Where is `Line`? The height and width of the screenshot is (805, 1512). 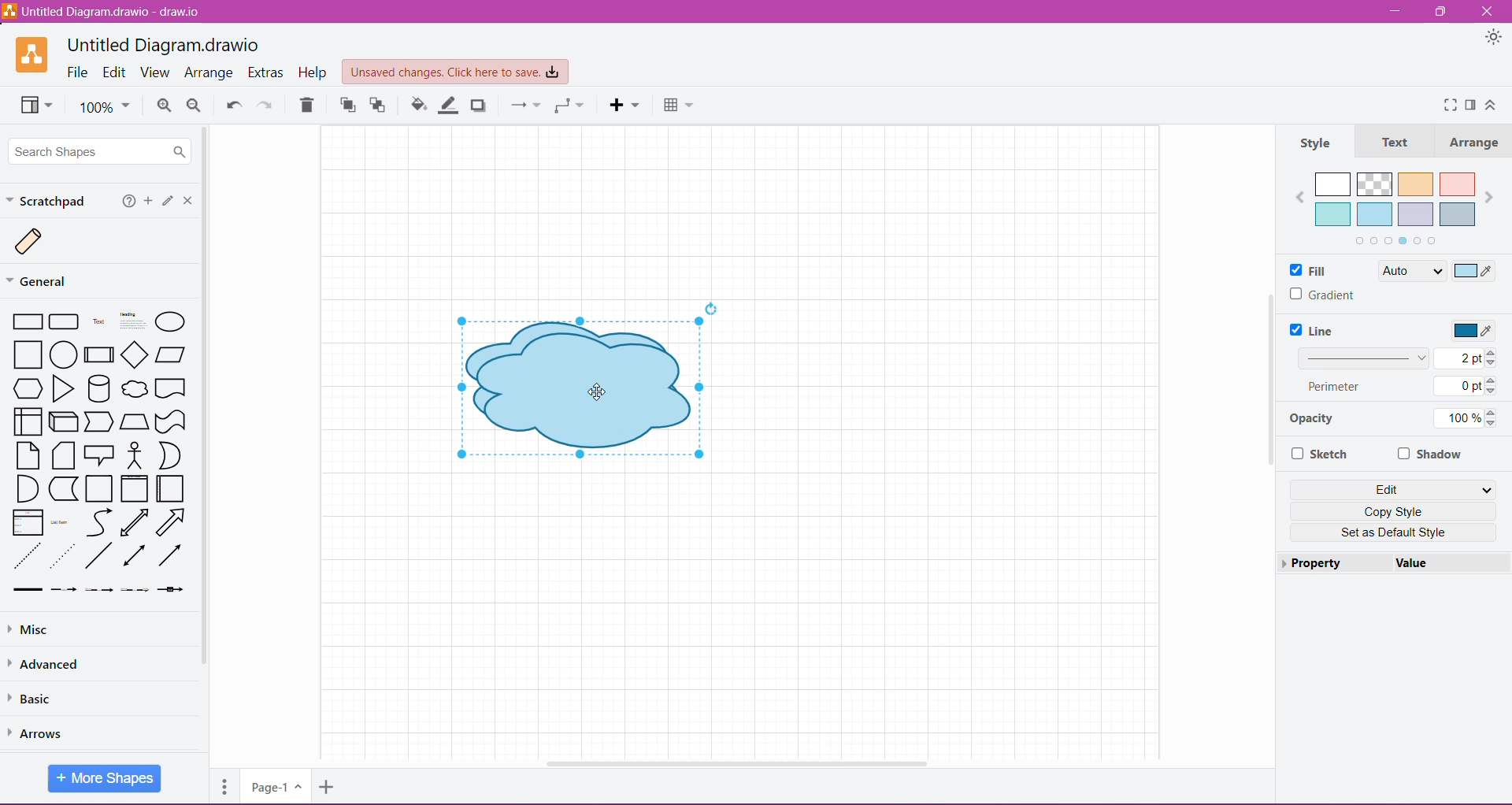
Line is located at coordinates (1314, 331).